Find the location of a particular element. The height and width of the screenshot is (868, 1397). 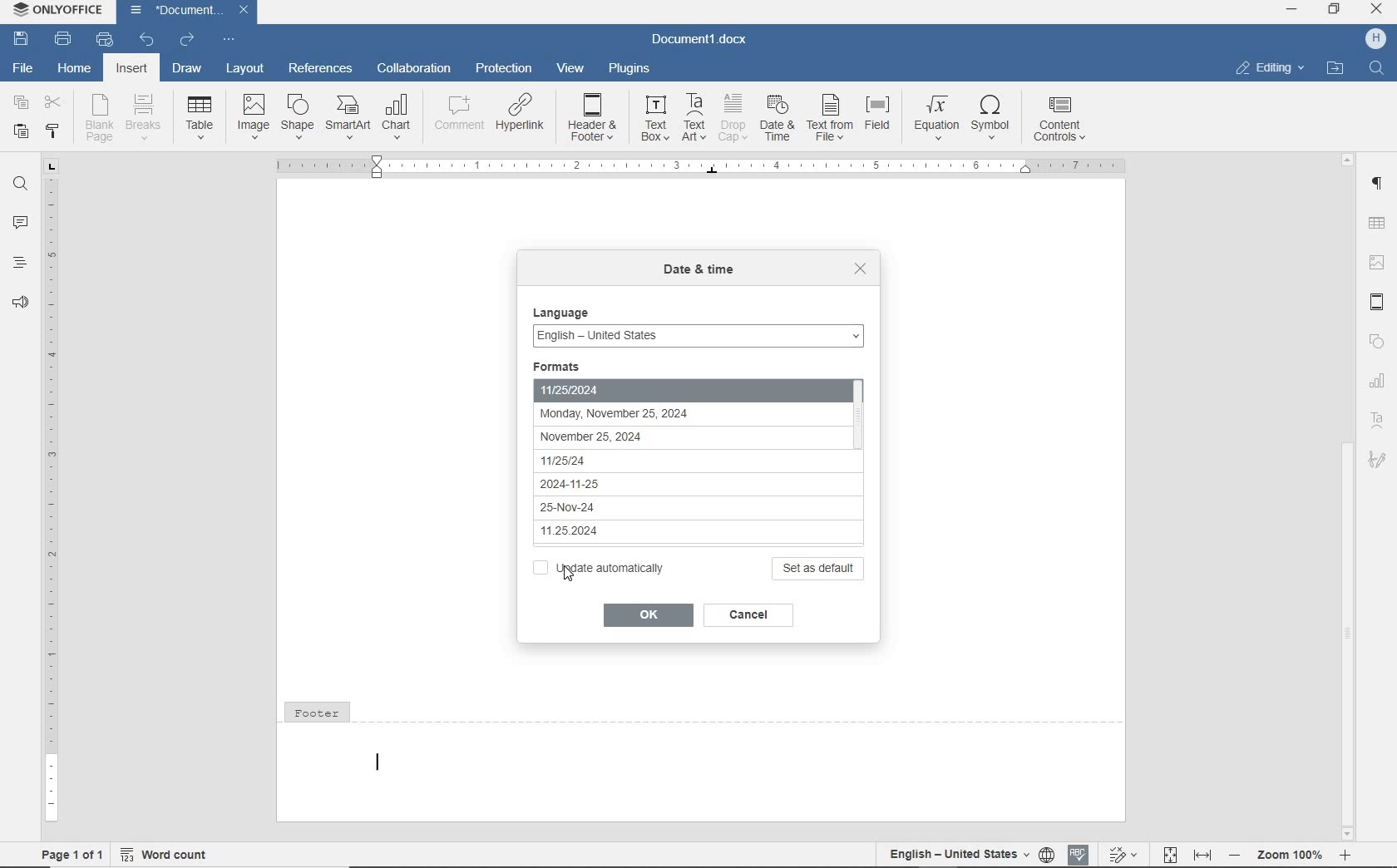

editing is located at coordinates (1271, 69).